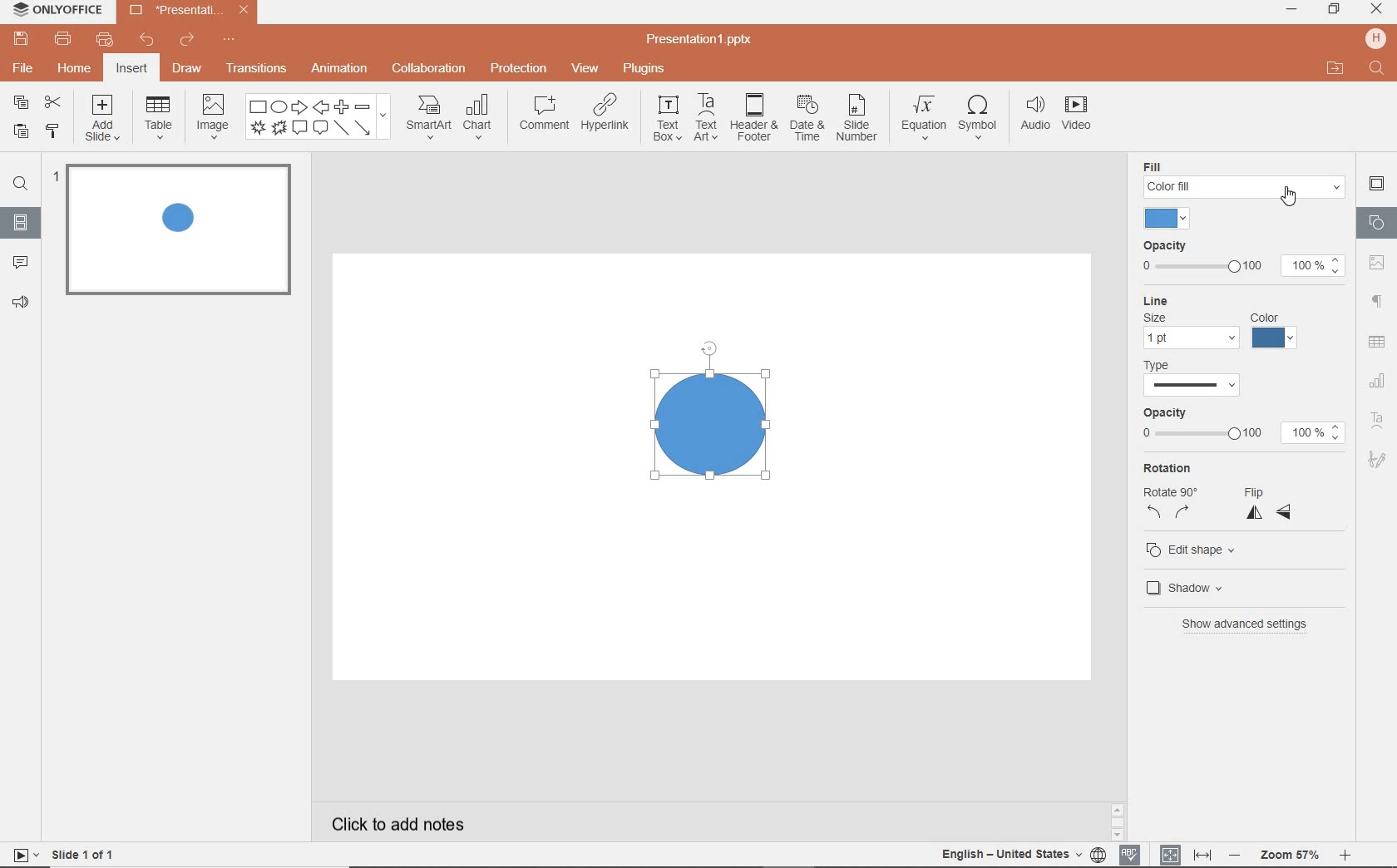 This screenshot has width=1397, height=868. What do you see at coordinates (544, 112) in the screenshot?
I see `comment` at bounding box center [544, 112].